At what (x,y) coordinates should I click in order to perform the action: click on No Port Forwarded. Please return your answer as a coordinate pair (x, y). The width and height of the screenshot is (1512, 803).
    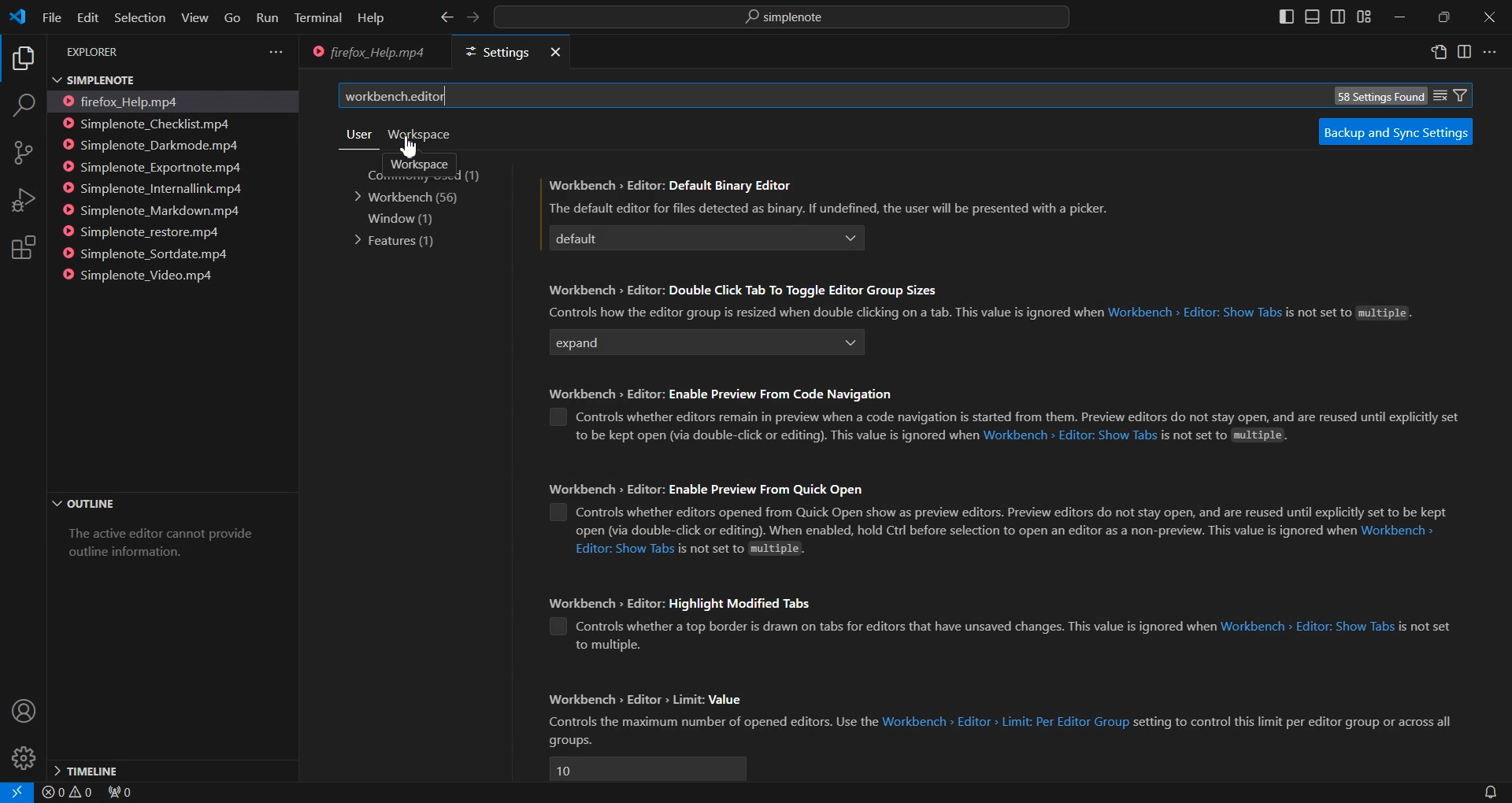
    Looking at the image, I should click on (125, 794).